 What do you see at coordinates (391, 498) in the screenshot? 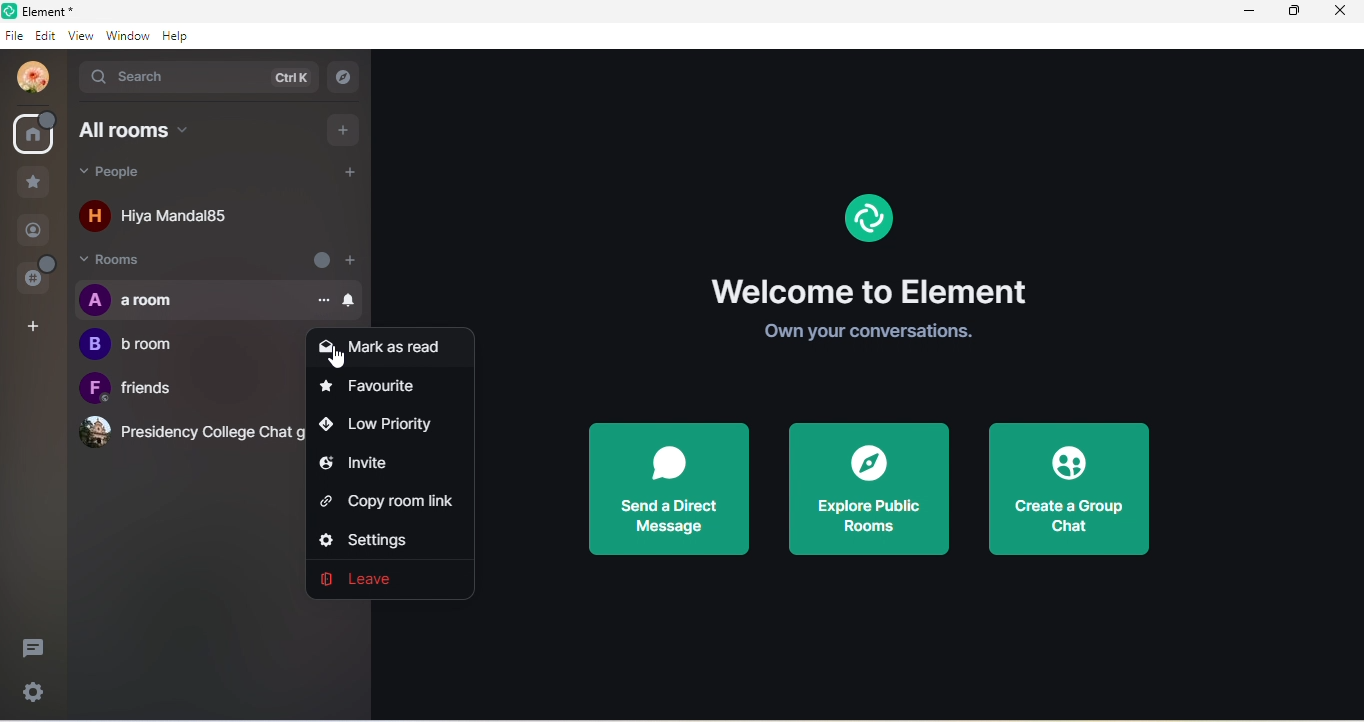
I see `copy room link` at bounding box center [391, 498].